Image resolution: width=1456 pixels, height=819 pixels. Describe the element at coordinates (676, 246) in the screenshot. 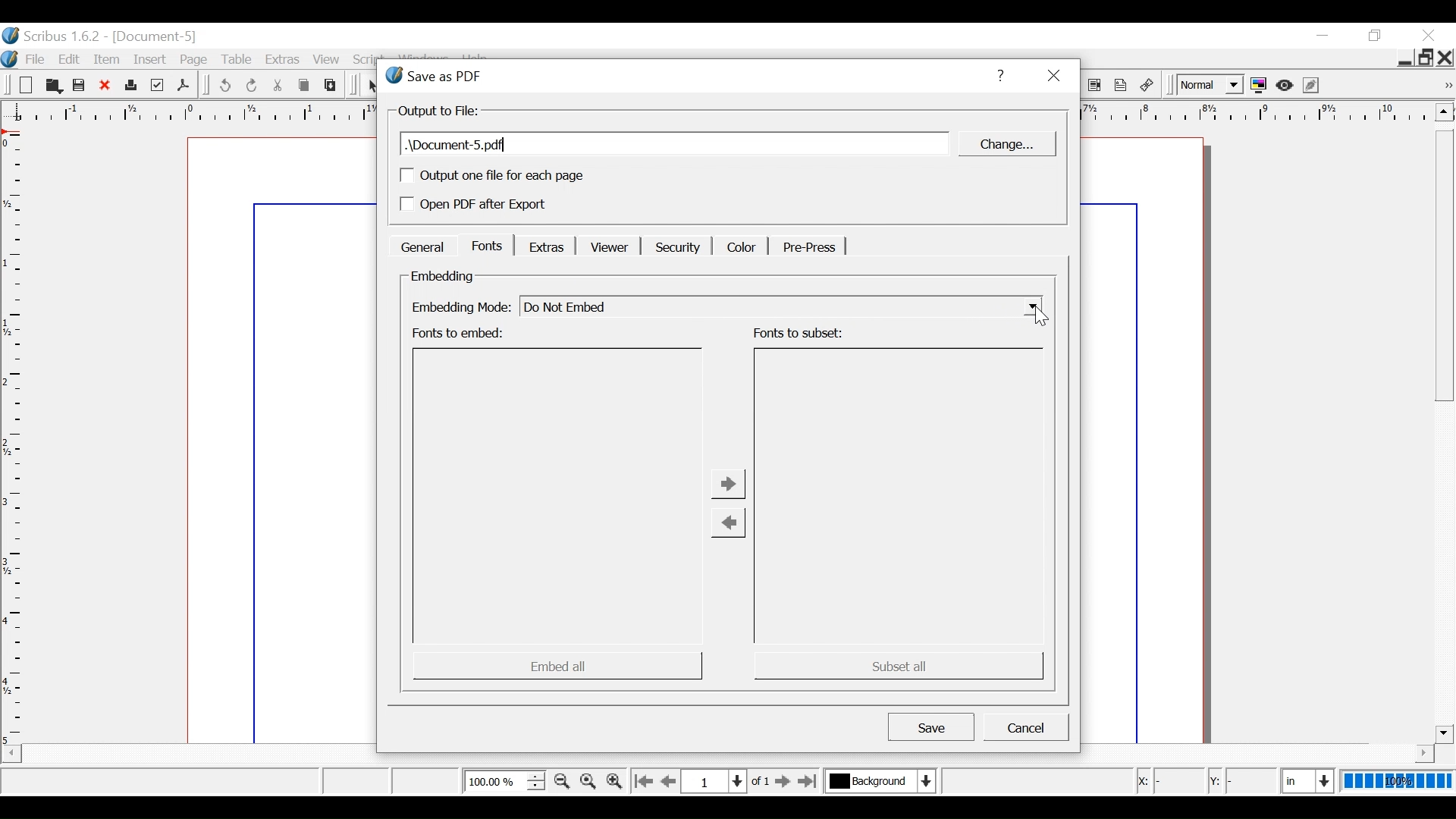

I see `Security` at that location.